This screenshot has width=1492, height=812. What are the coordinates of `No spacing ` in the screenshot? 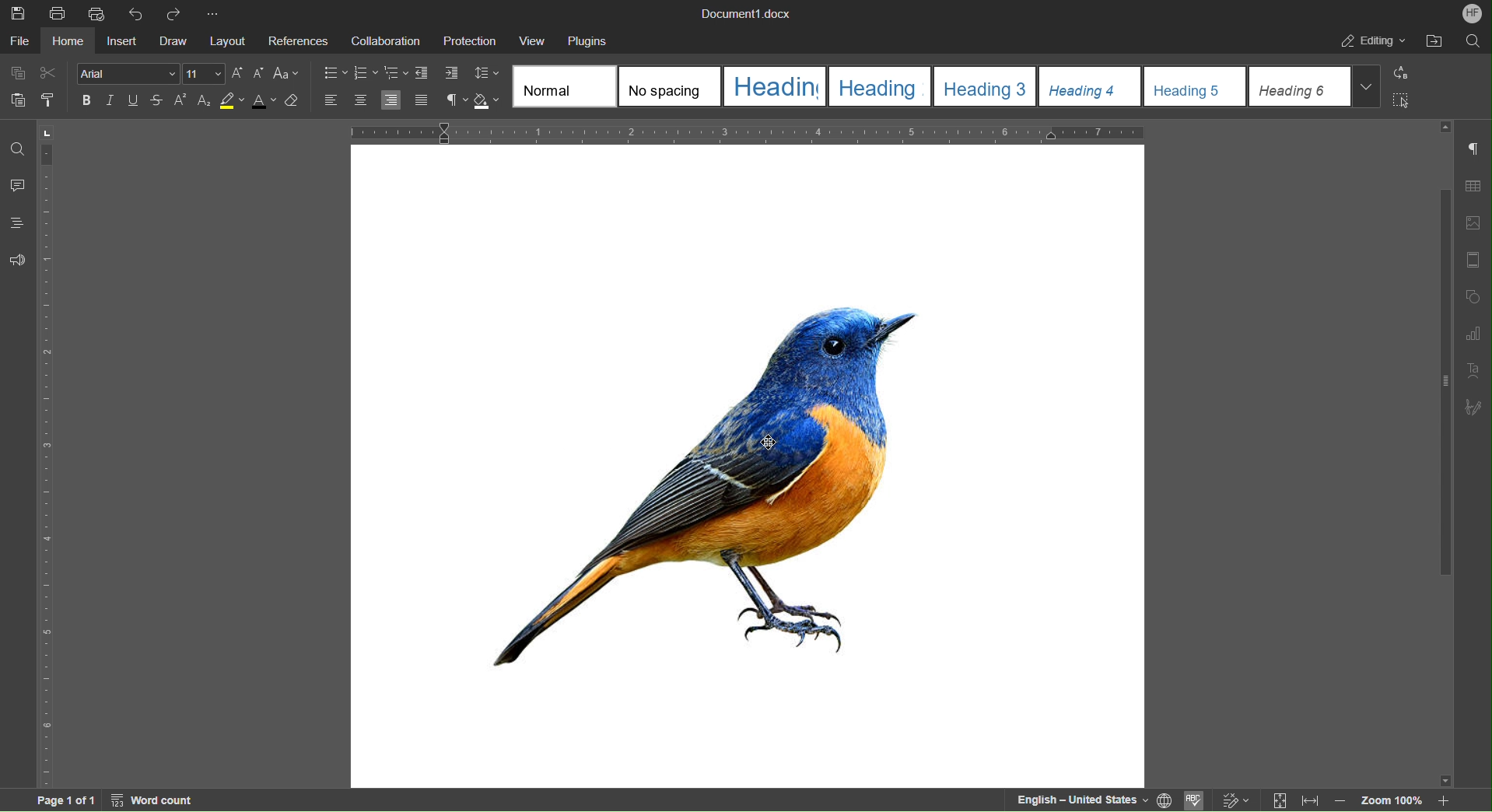 It's located at (670, 86).